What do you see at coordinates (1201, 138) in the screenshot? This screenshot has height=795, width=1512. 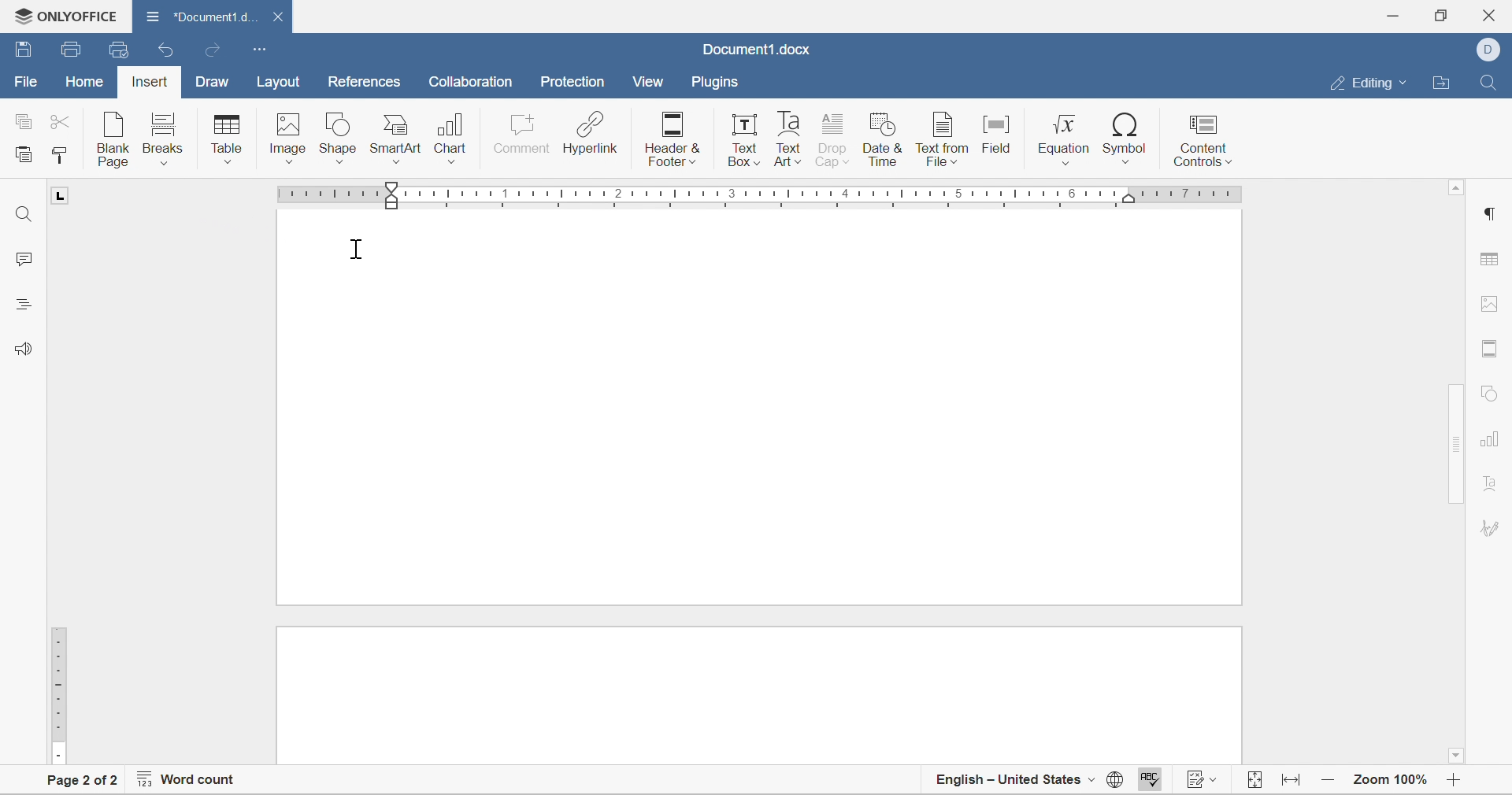 I see `Content controls` at bounding box center [1201, 138].